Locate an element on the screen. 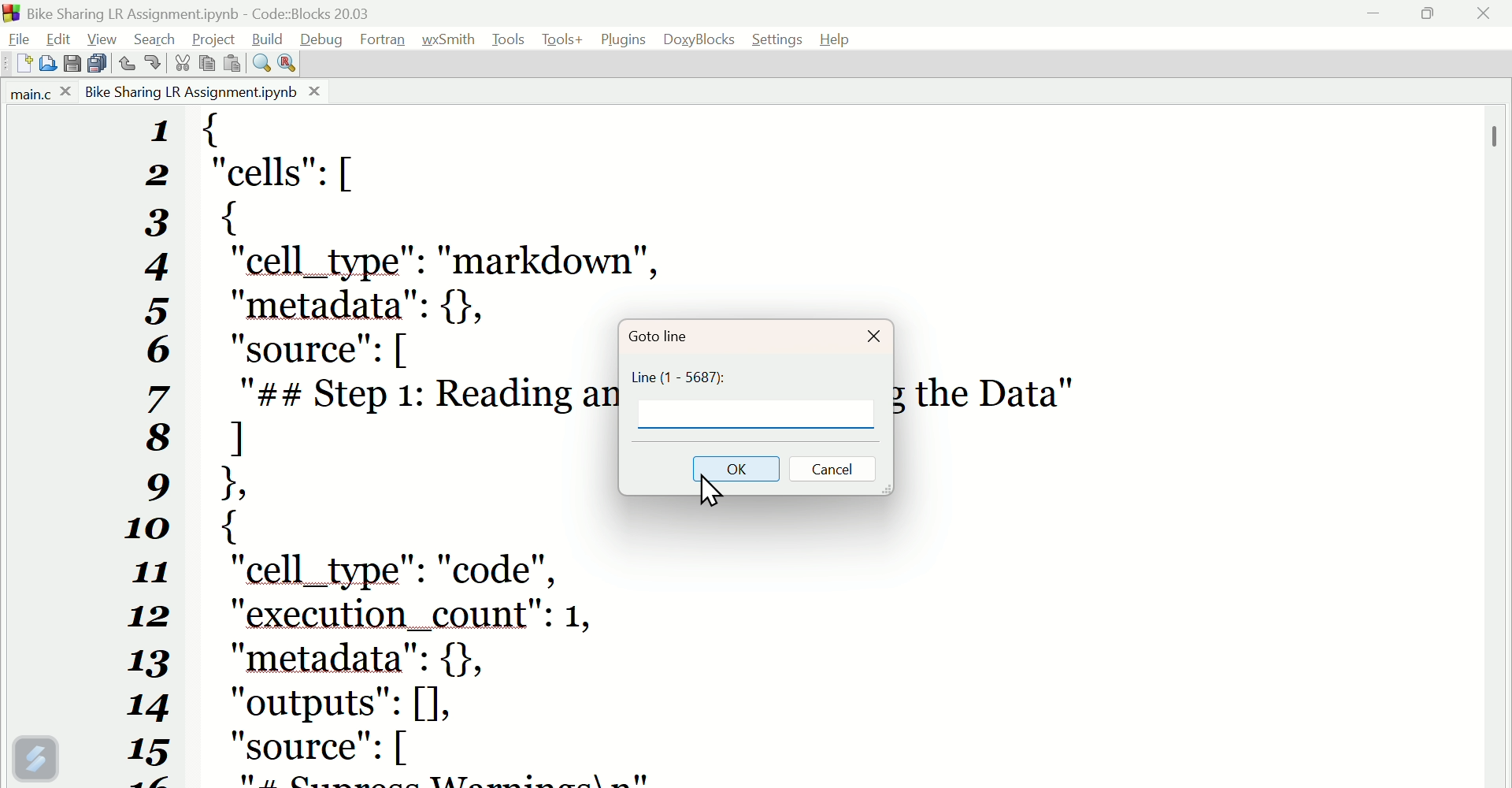 The image size is (1512, 788). Debug is located at coordinates (322, 39).